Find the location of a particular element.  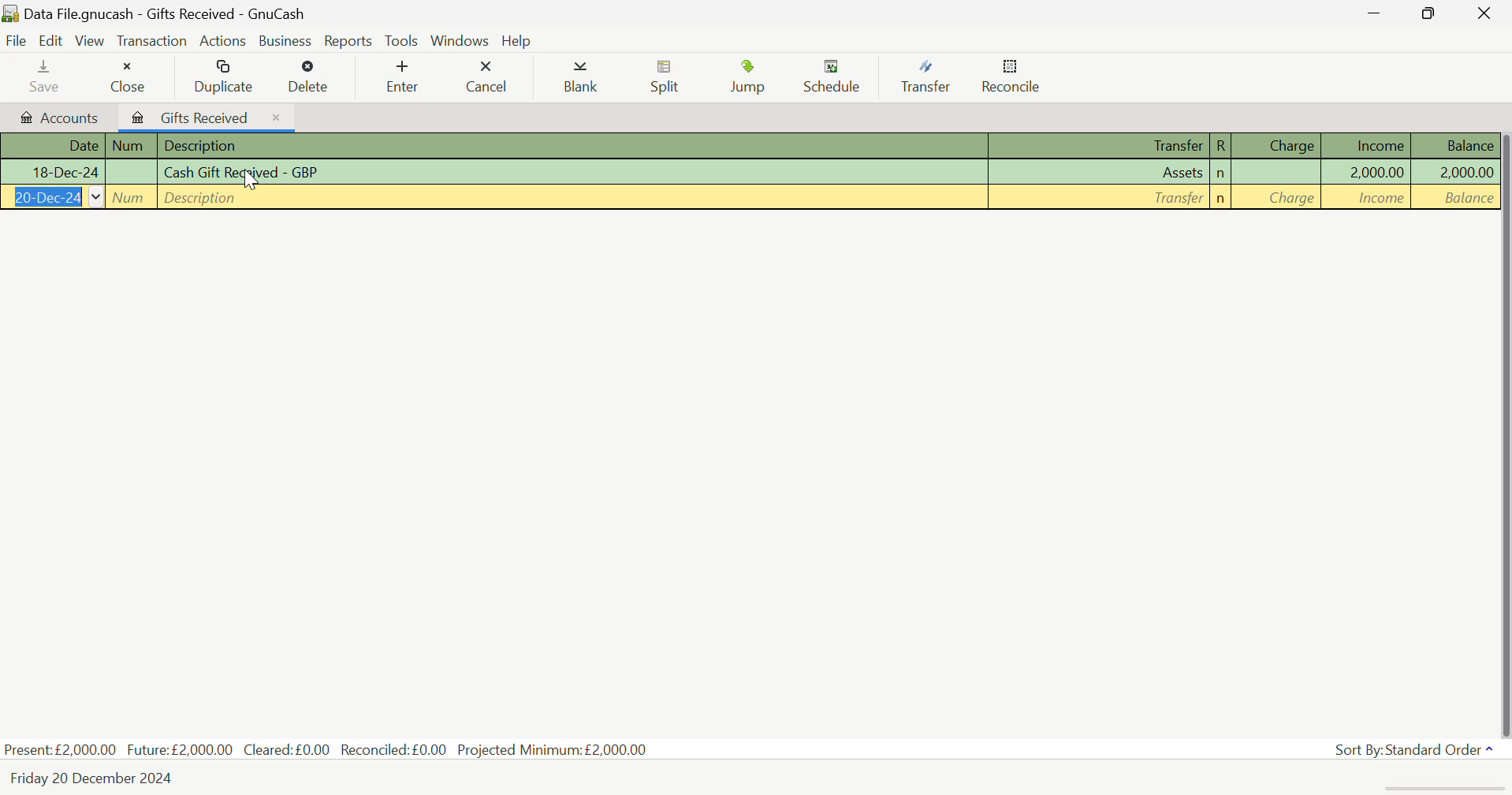

Scroll Bar is located at coordinates (1503, 429).